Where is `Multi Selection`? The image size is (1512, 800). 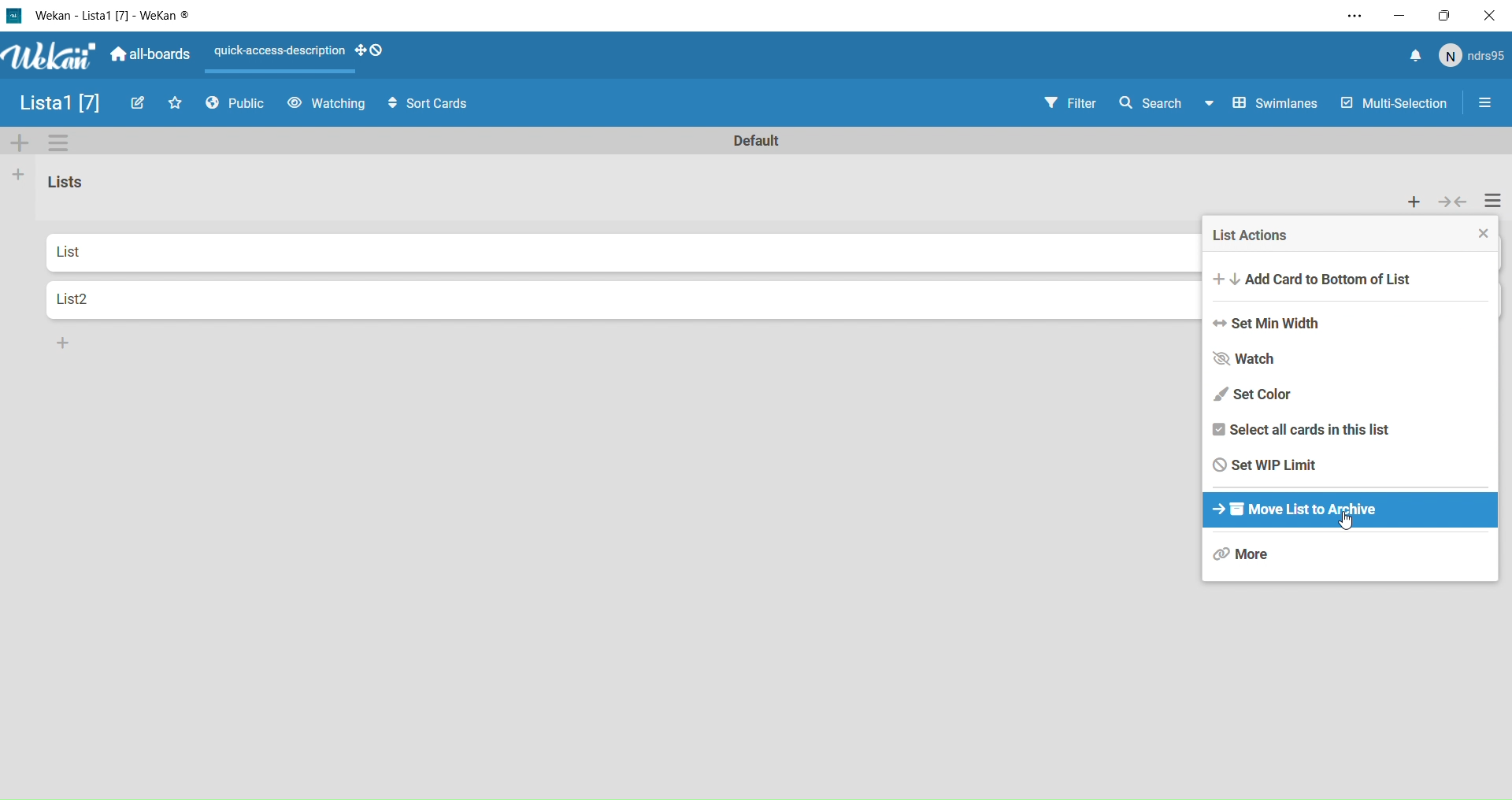
Multi Selection is located at coordinates (1396, 103).